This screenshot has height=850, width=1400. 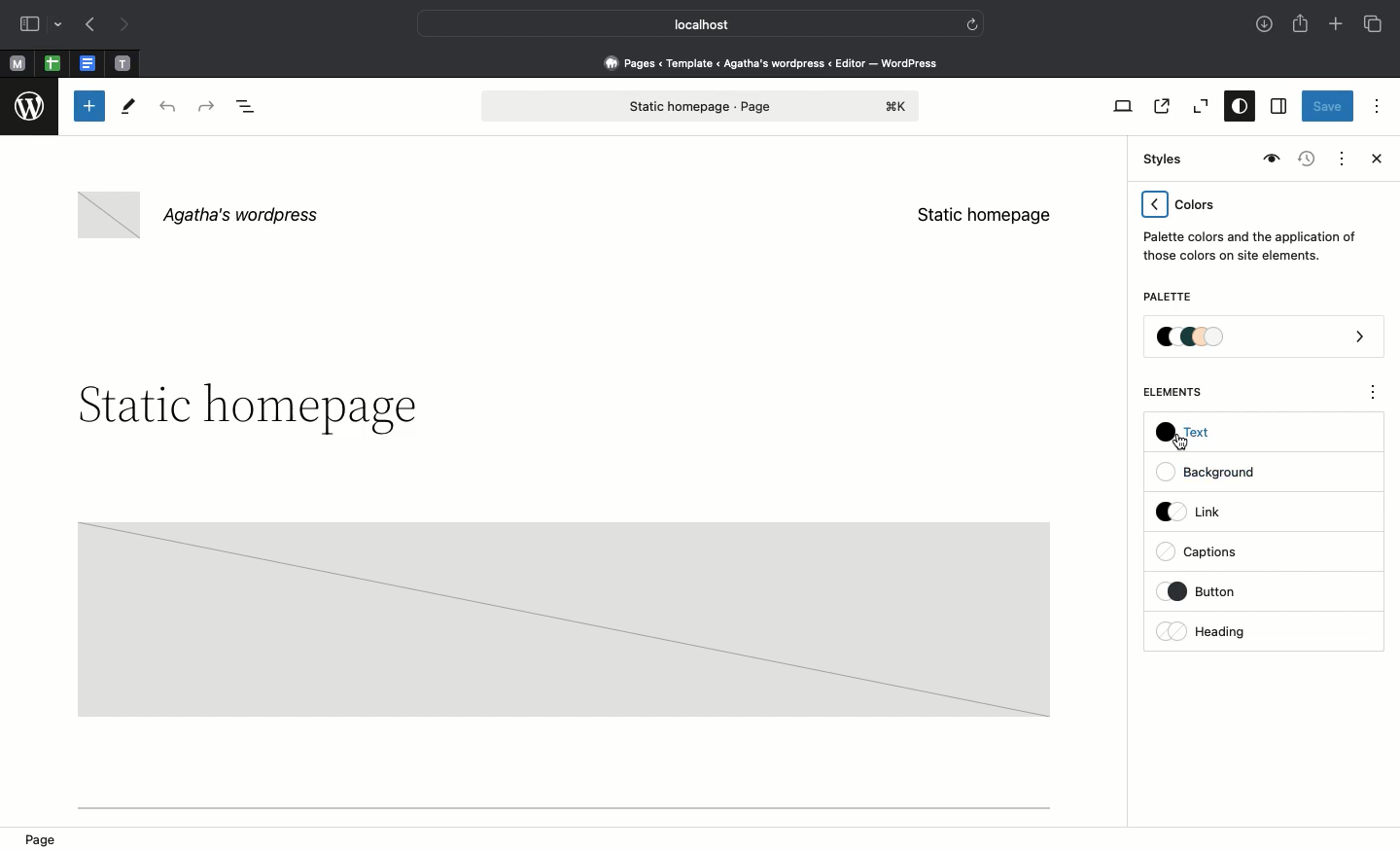 I want to click on Style book, so click(x=1269, y=159).